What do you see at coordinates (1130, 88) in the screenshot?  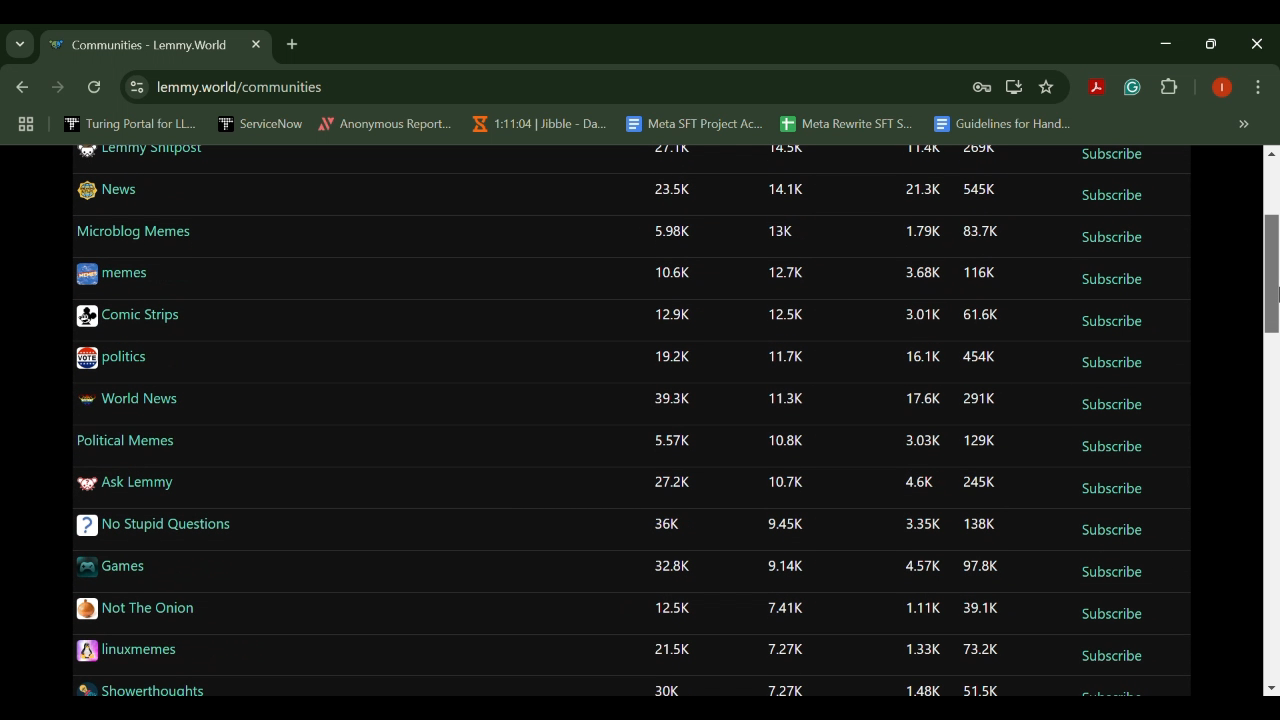 I see `Grammarly Extension` at bounding box center [1130, 88].